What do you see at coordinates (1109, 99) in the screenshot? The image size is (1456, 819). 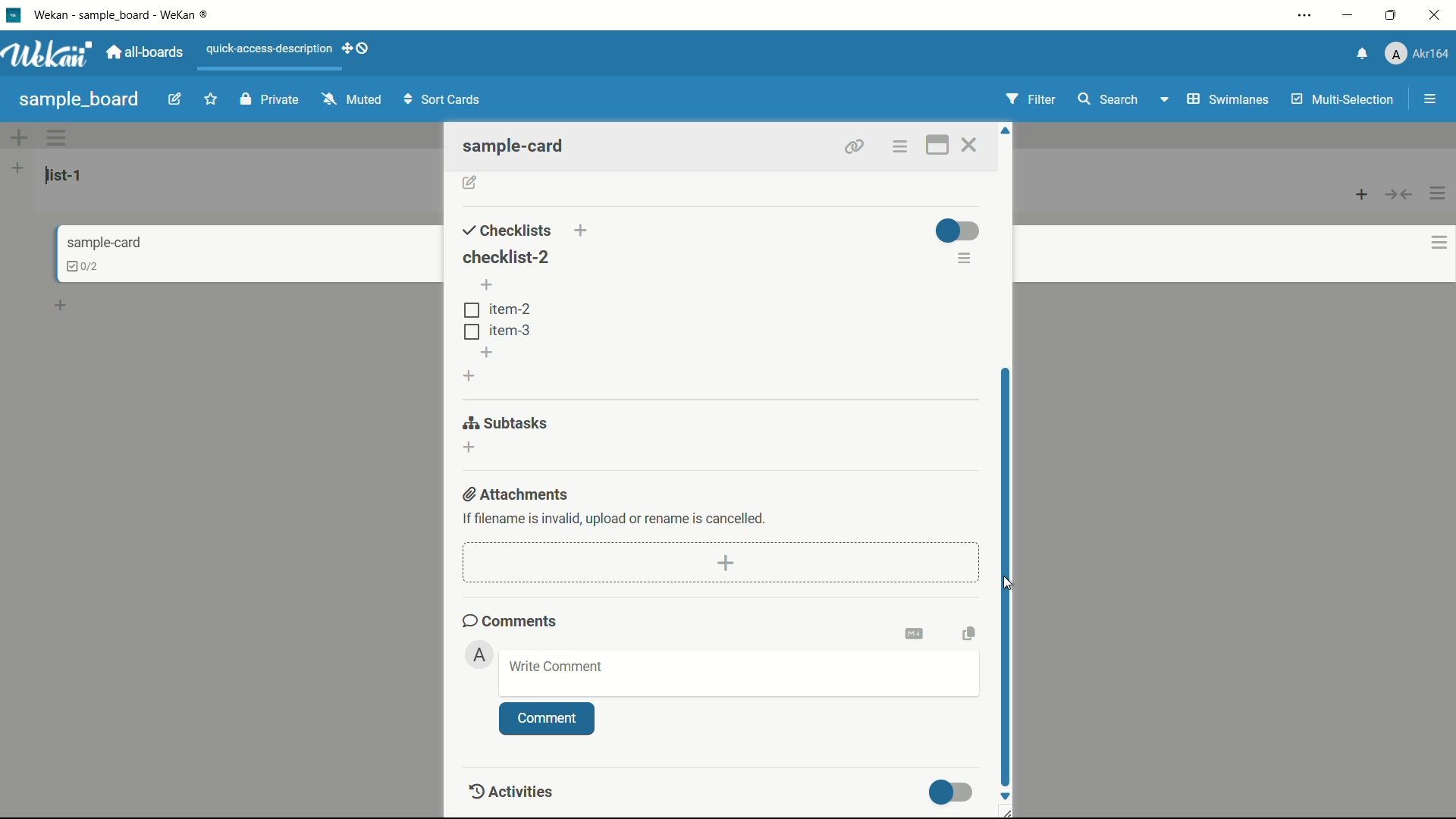 I see `search` at bounding box center [1109, 99].